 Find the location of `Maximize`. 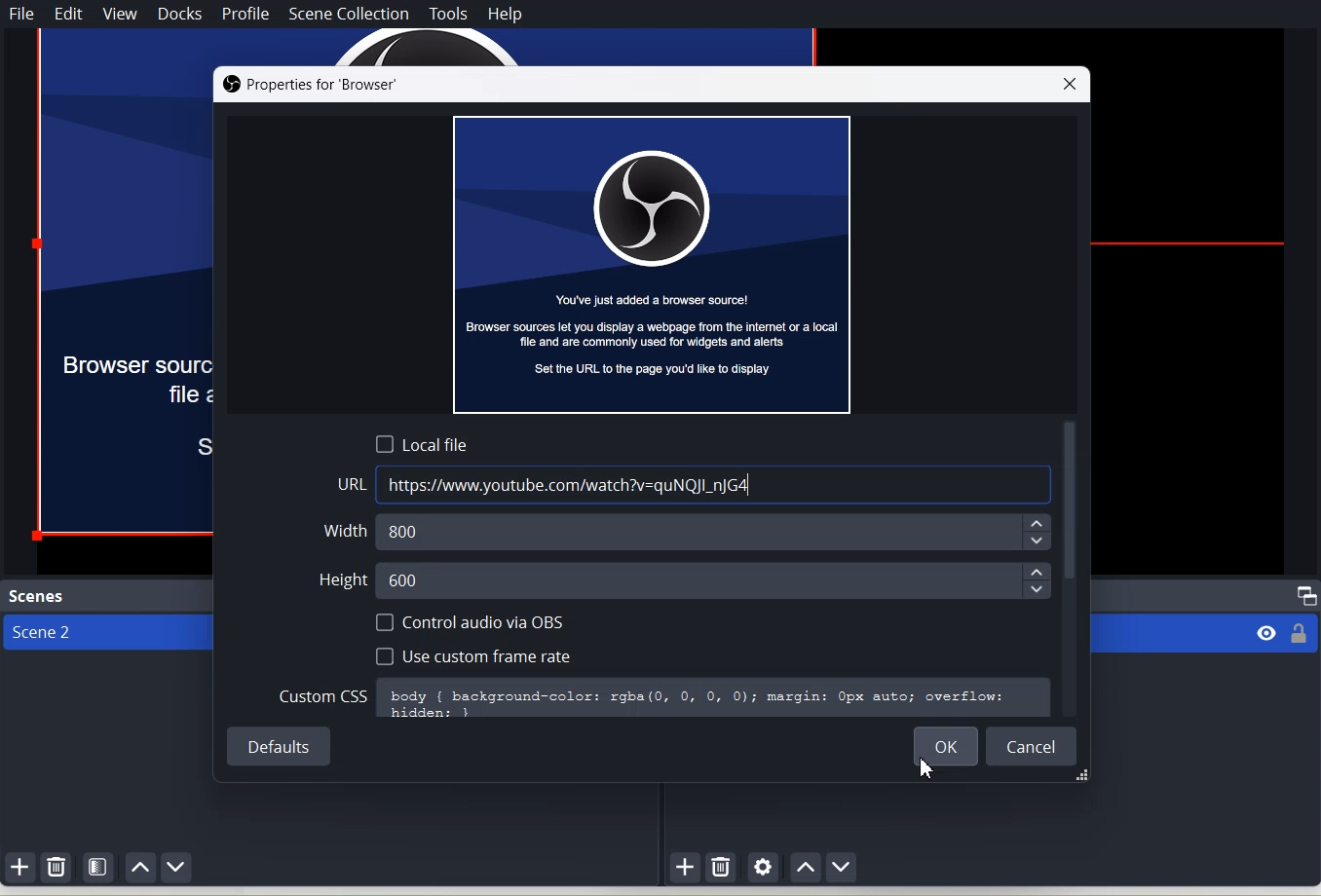

Maximize is located at coordinates (1307, 596).